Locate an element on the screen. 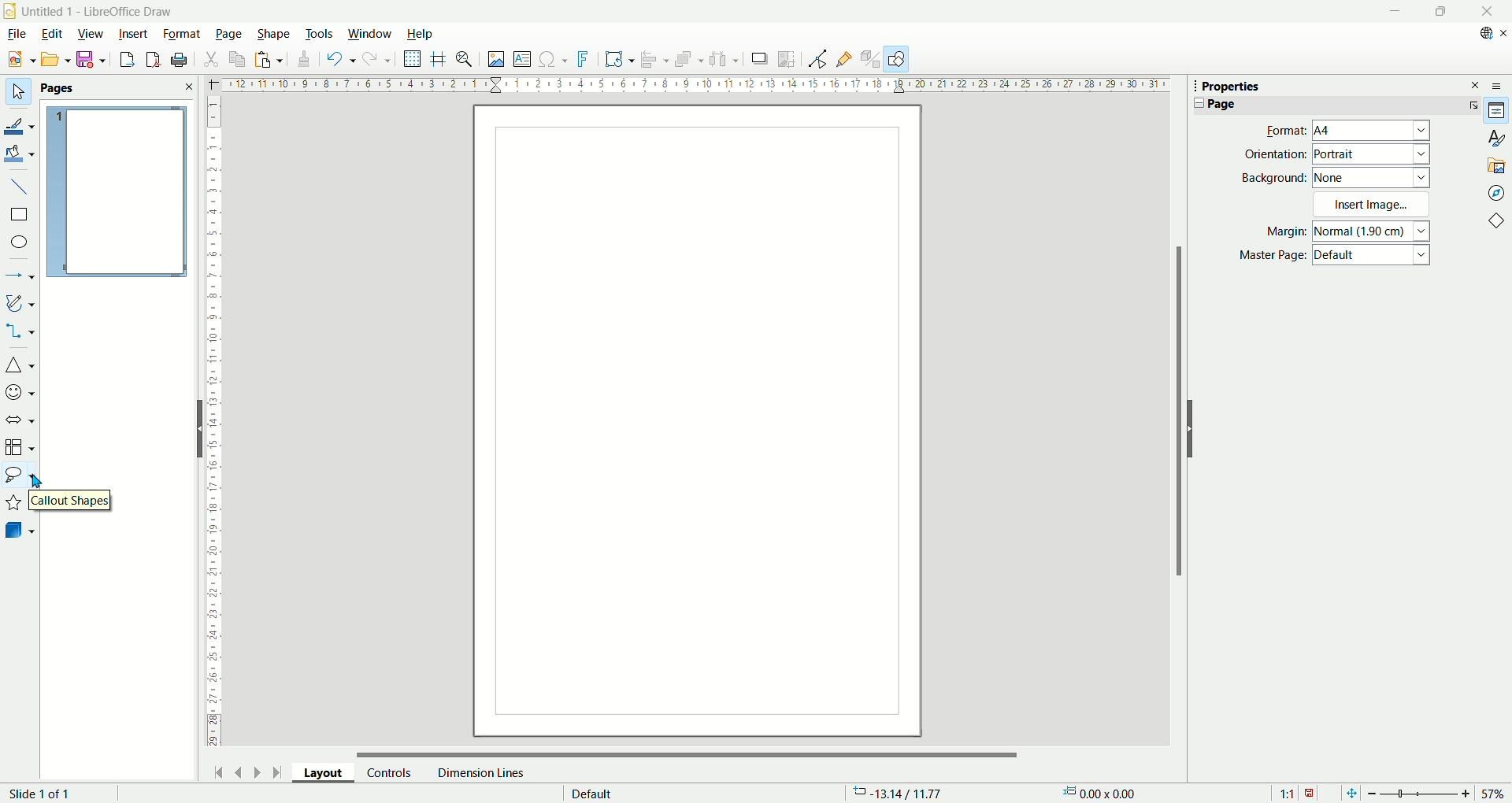 This screenshot has width=1512, height=803. insert line is located at coordinates (19, 185).